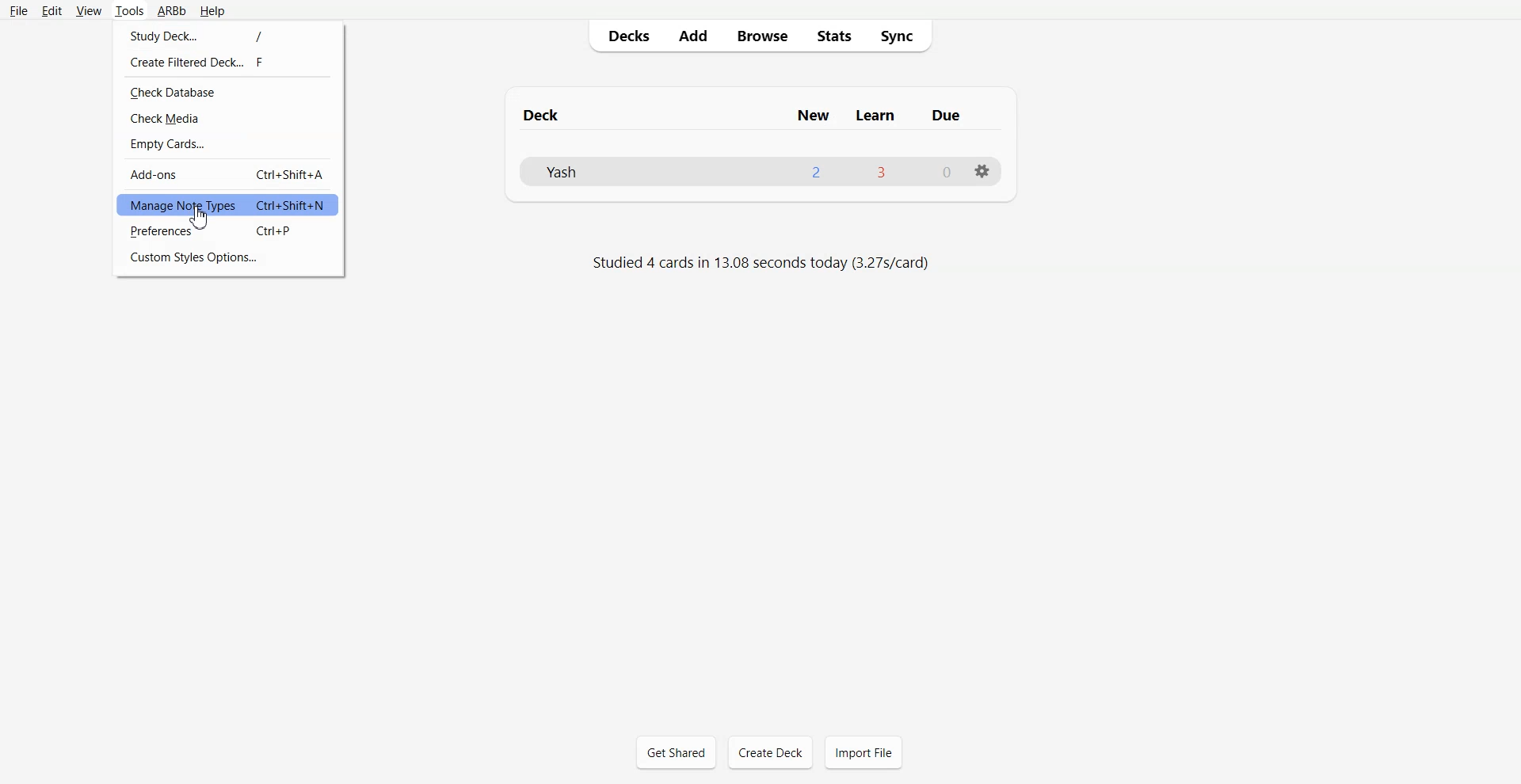 This screenshot has width=1521, height=784. What do you see at coordinates (761, 172) in the screenshot?
I see `Deck File` at bounding box center [761, 172].